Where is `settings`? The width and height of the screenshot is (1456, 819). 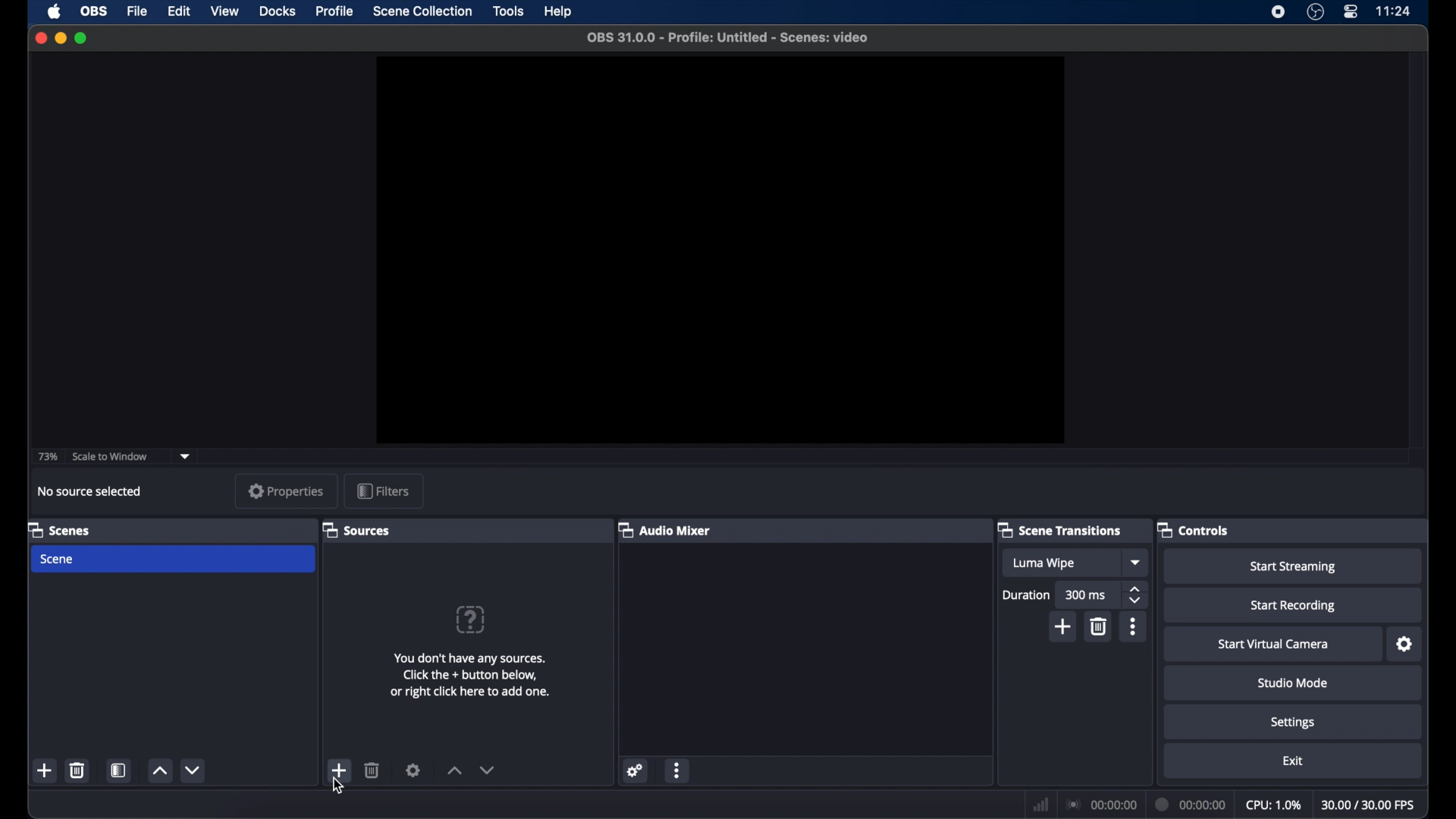
settings is located at coordinates (635, 770).